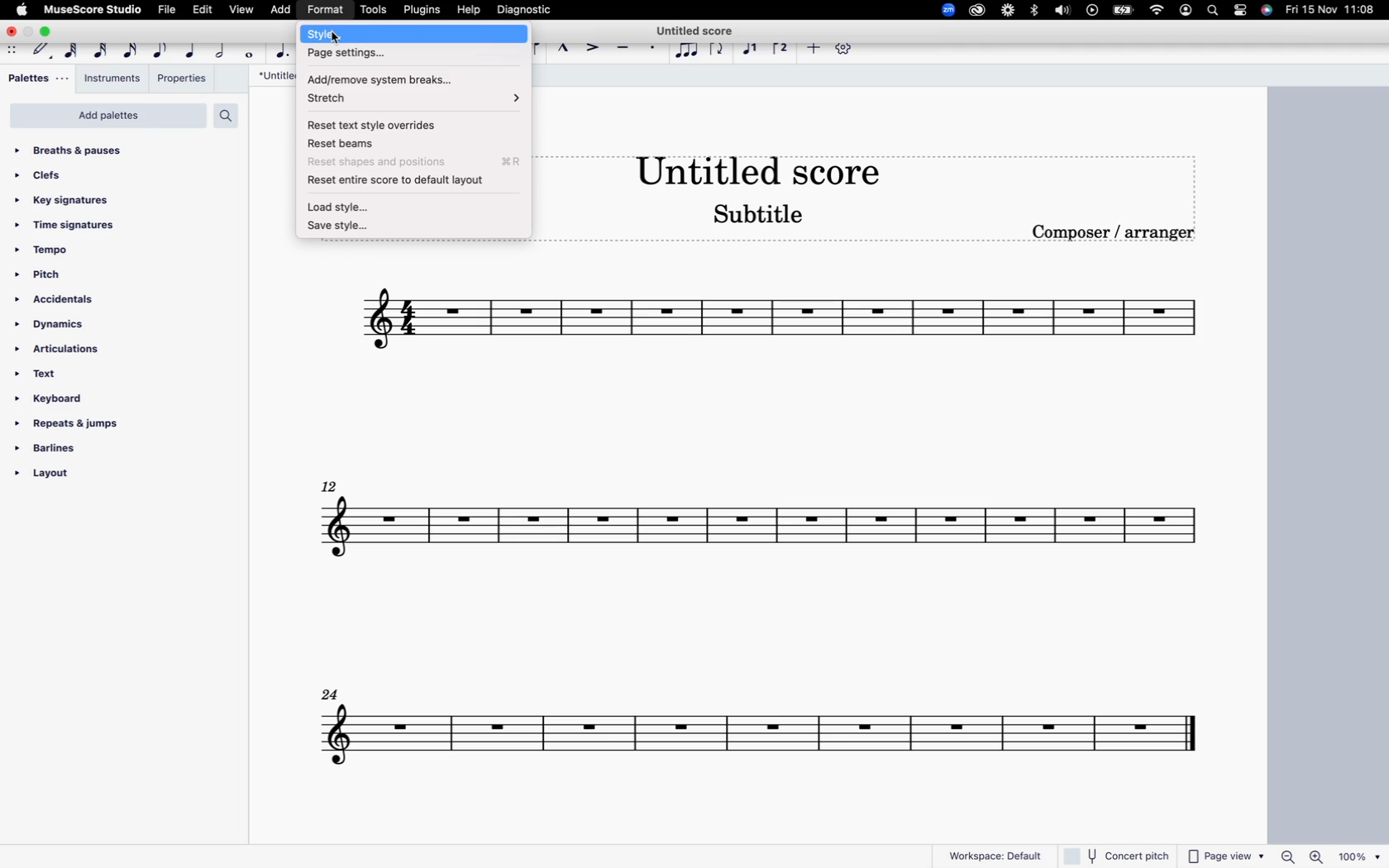  Describe the element at coordinates (353, 207) in the screenshot. I see `load style` at that location.